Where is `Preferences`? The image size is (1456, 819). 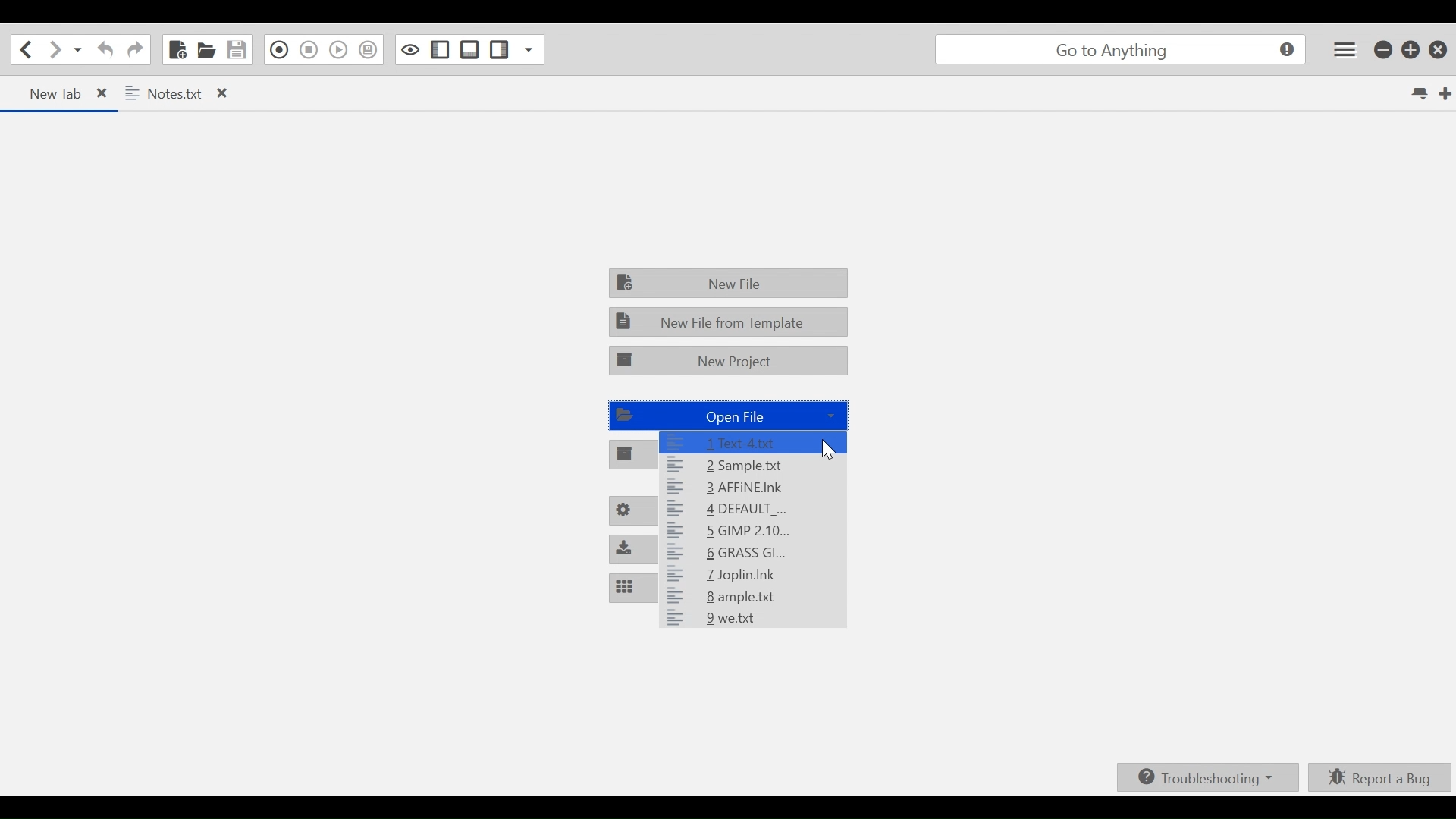
Preferences is located at coordinates (632, 512).